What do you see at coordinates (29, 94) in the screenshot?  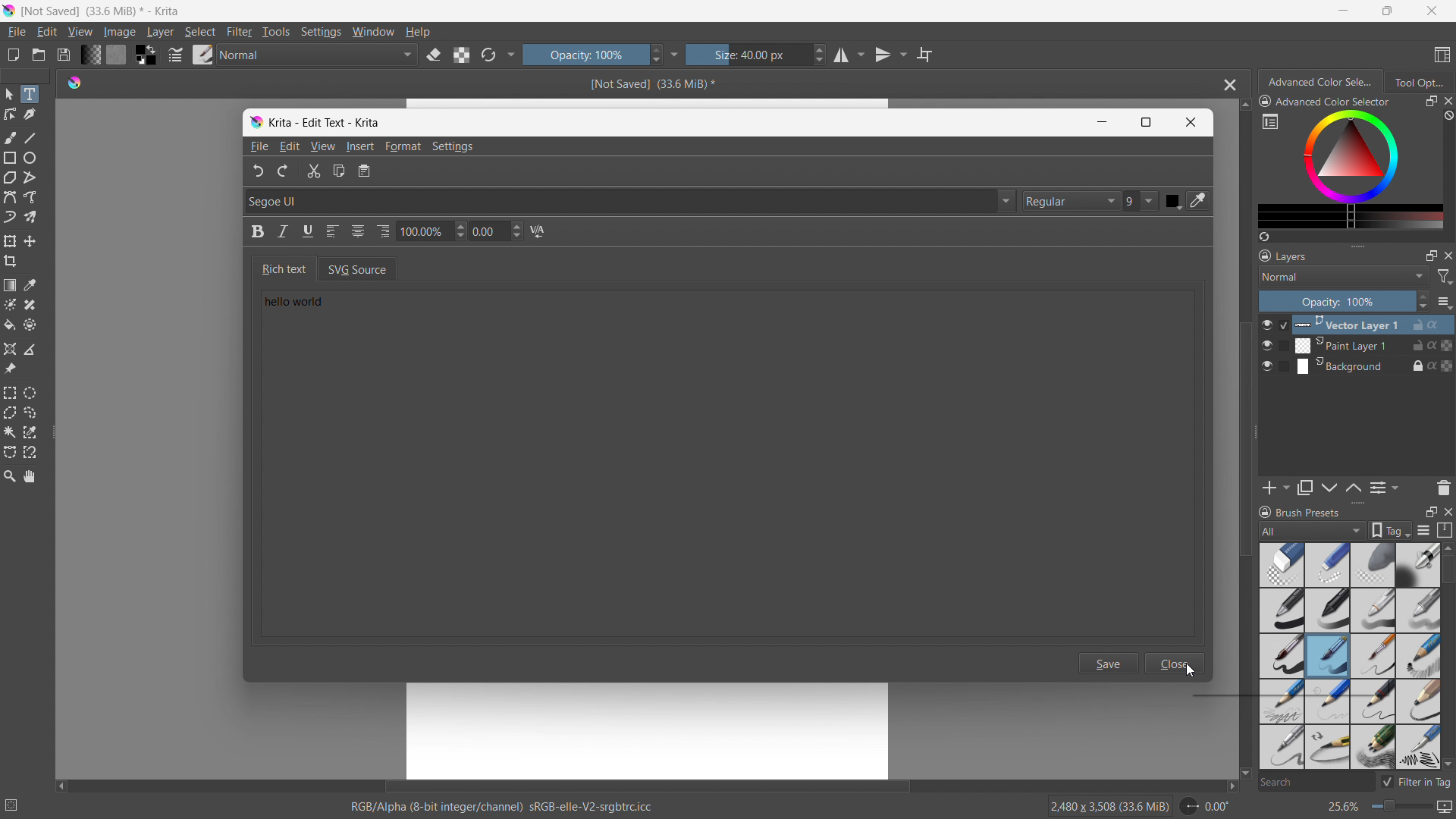 I see `text tool selected` at bounding box center [29, 94].